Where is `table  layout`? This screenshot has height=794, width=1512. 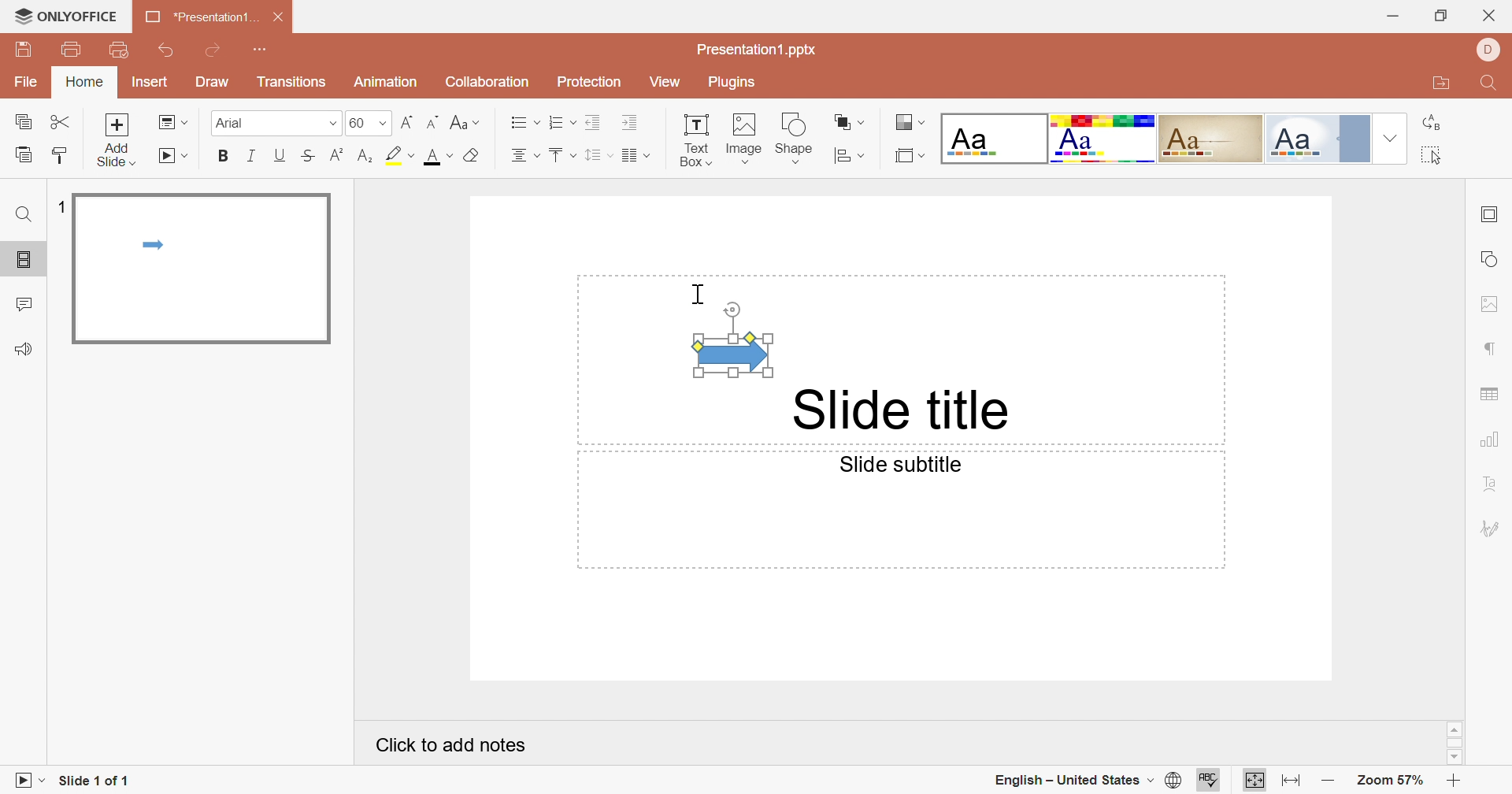 table  layout is located at coordinates (911, 154).